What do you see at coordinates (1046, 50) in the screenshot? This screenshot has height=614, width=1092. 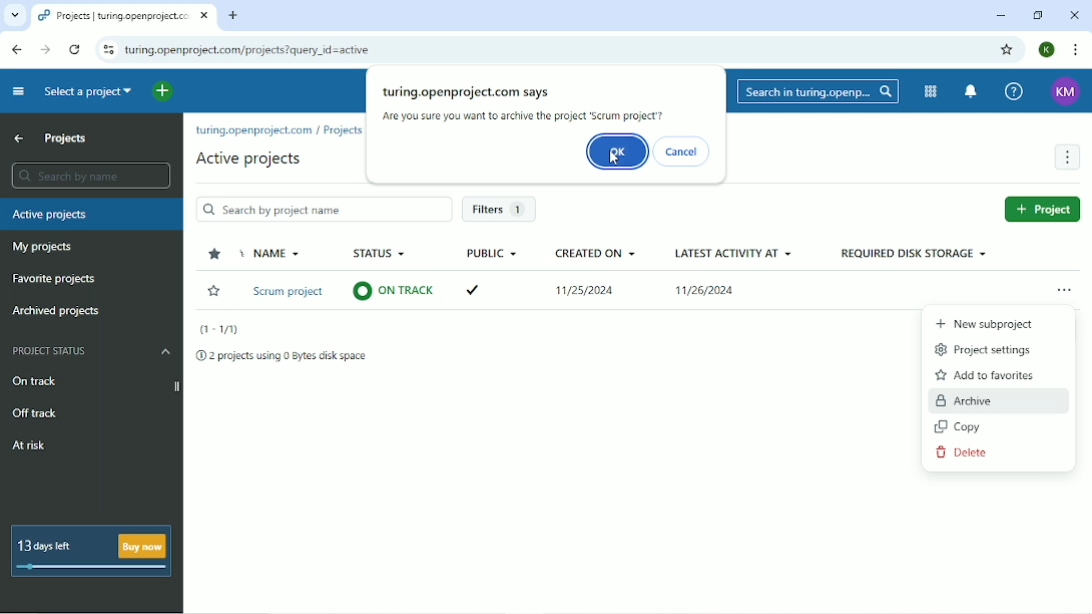 I see `Account` at bounding box center [1046, 50].